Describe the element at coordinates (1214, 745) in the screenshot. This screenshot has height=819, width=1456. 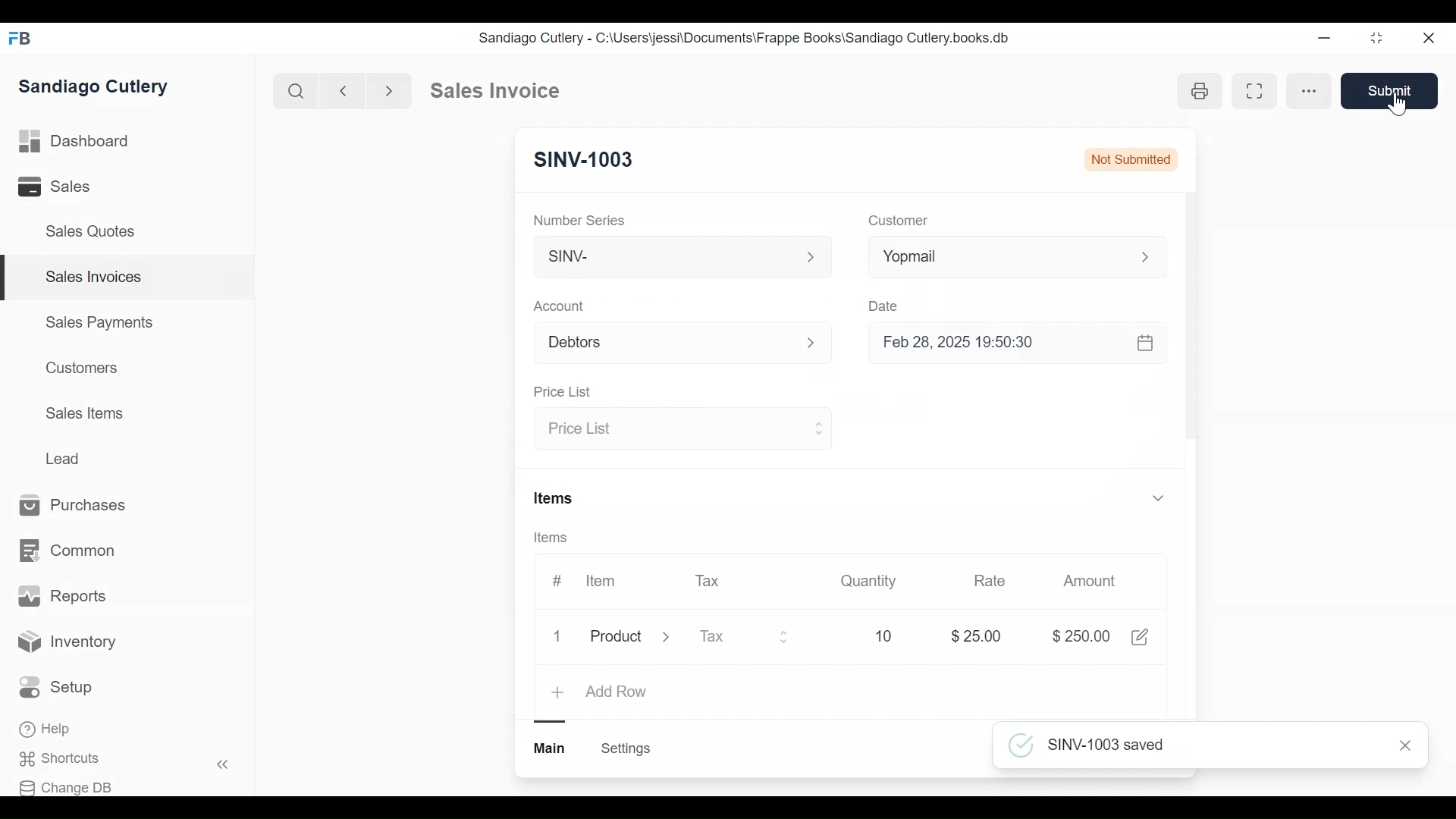
I see `SINV-1003 saved` at that location.